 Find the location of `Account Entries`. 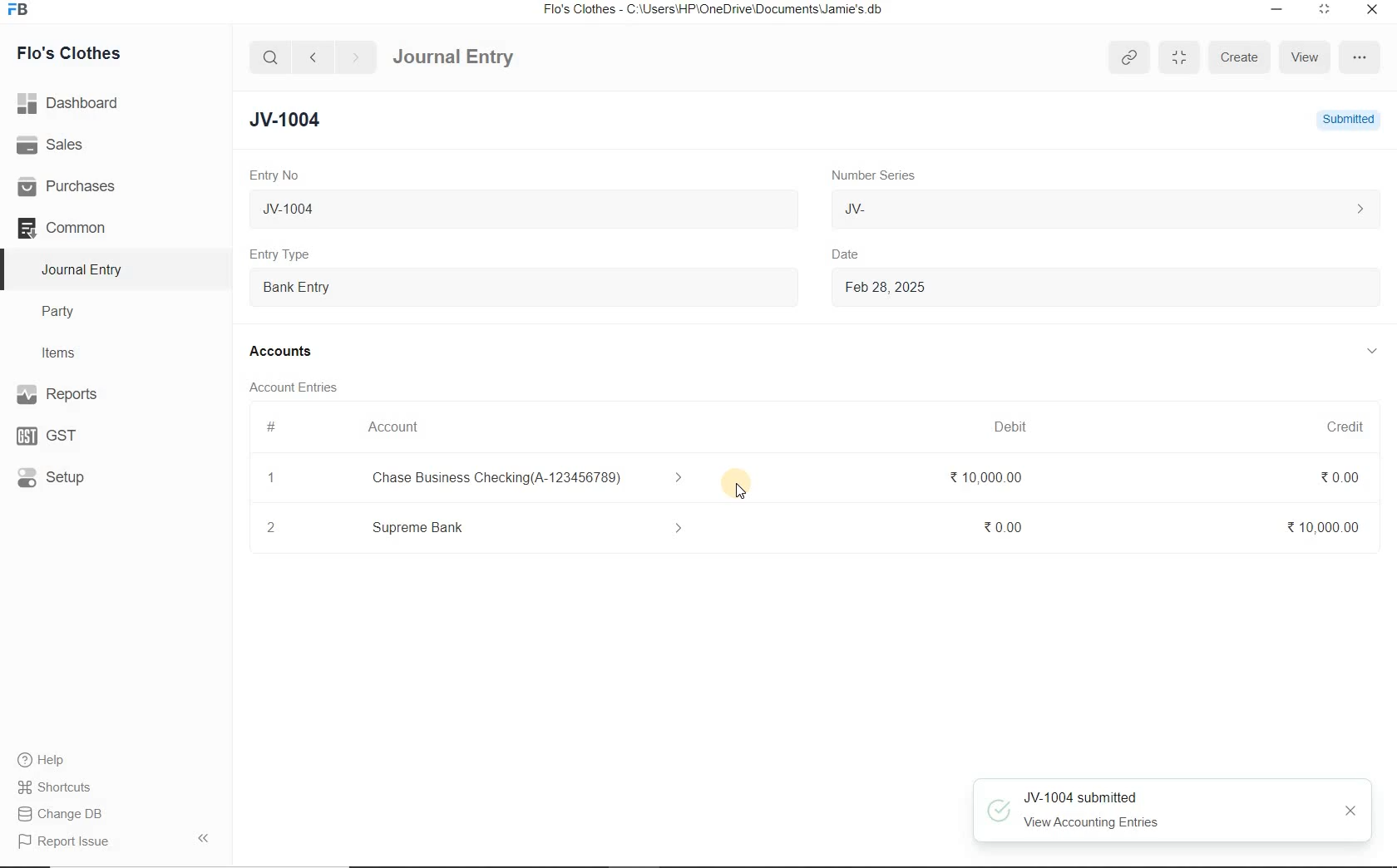

Account Entries is located at coordinates (300, 387).